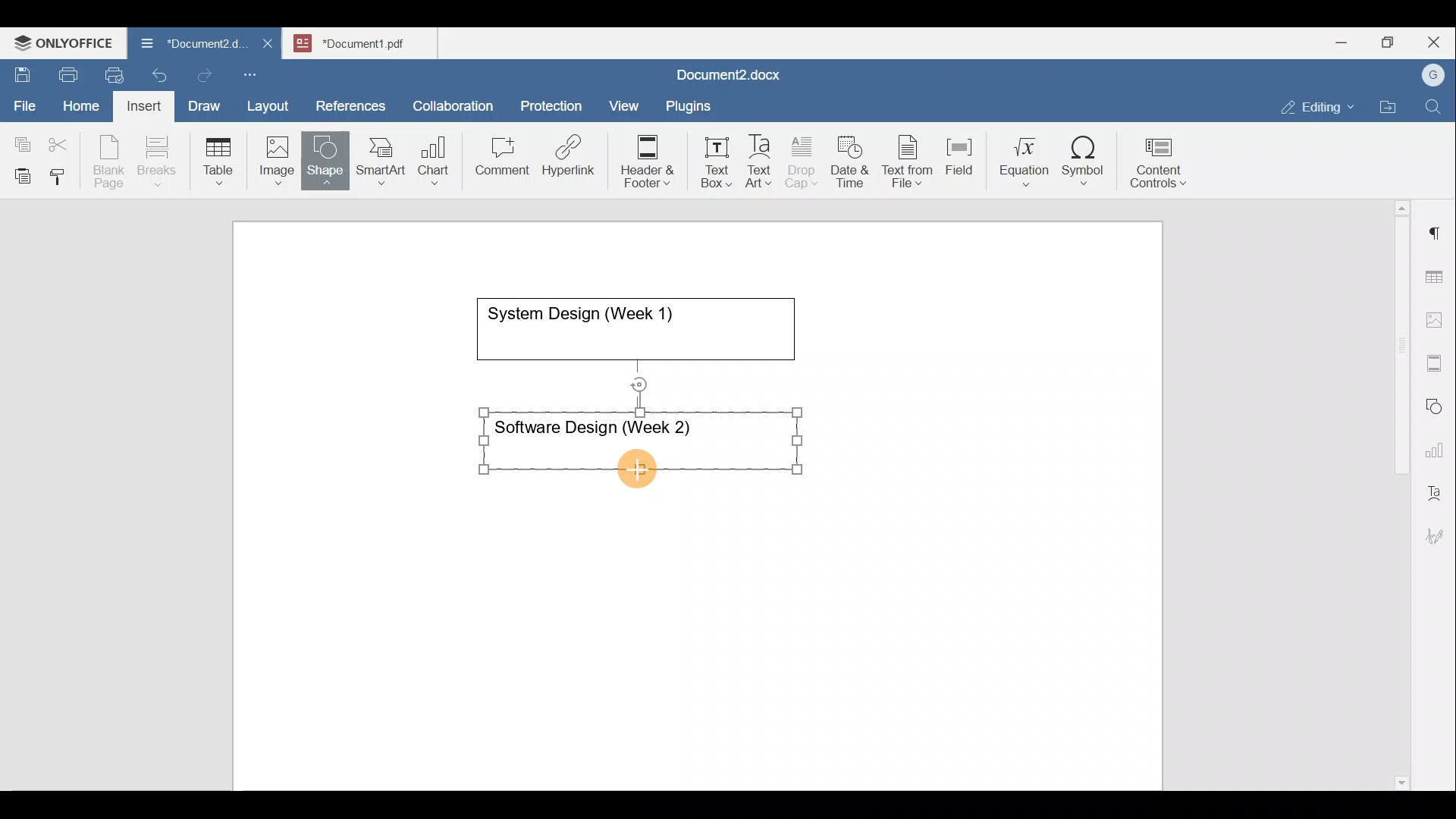  What do you see at coordinates (1341, 41) in the screenshot?
I see `Minimize` at bounding box center [1341, 41].